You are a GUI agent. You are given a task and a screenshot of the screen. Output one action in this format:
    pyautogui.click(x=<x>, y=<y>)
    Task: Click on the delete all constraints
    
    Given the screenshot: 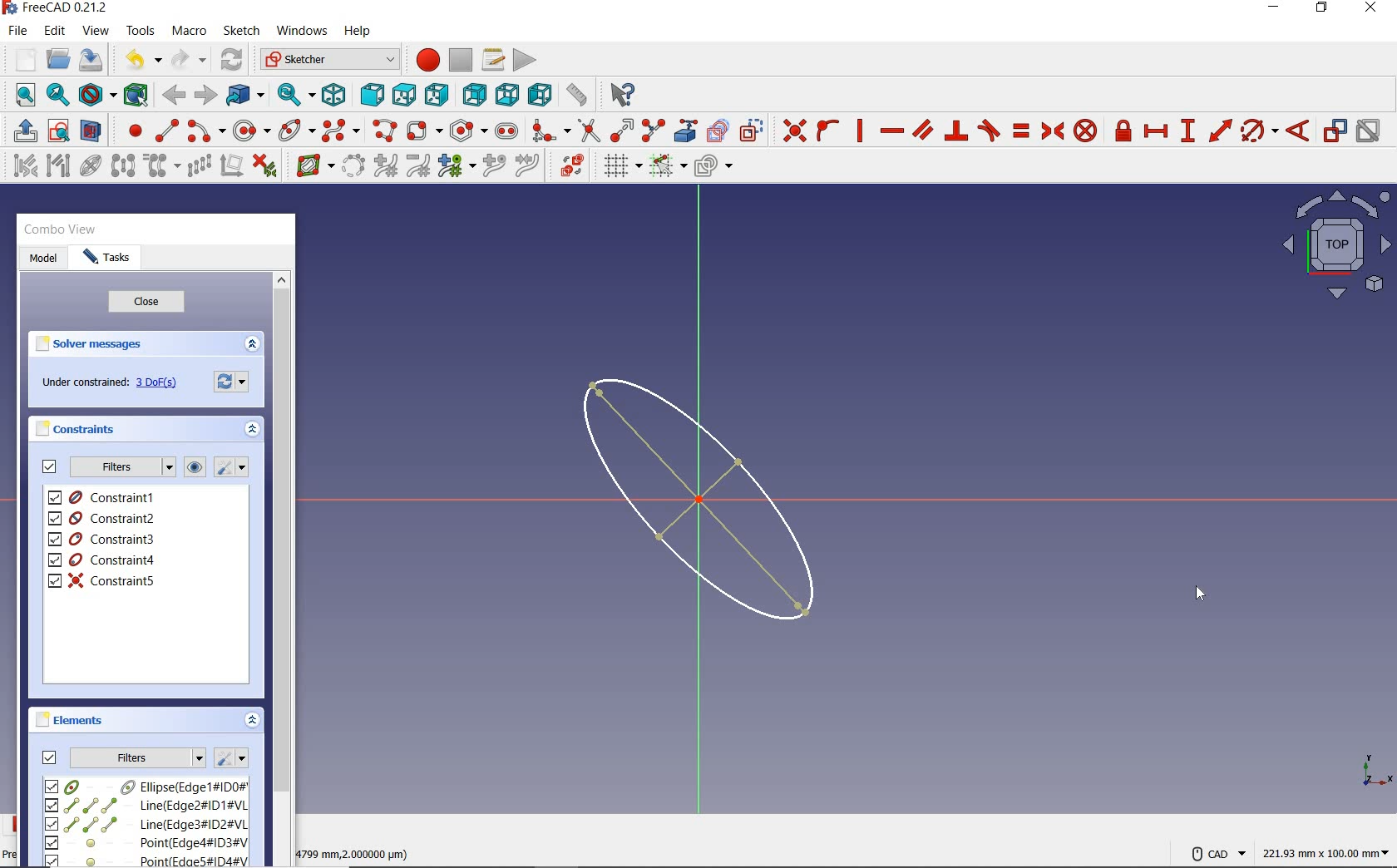 What is the action you would take?
    pyautogui.click(x=264, y=165)
    